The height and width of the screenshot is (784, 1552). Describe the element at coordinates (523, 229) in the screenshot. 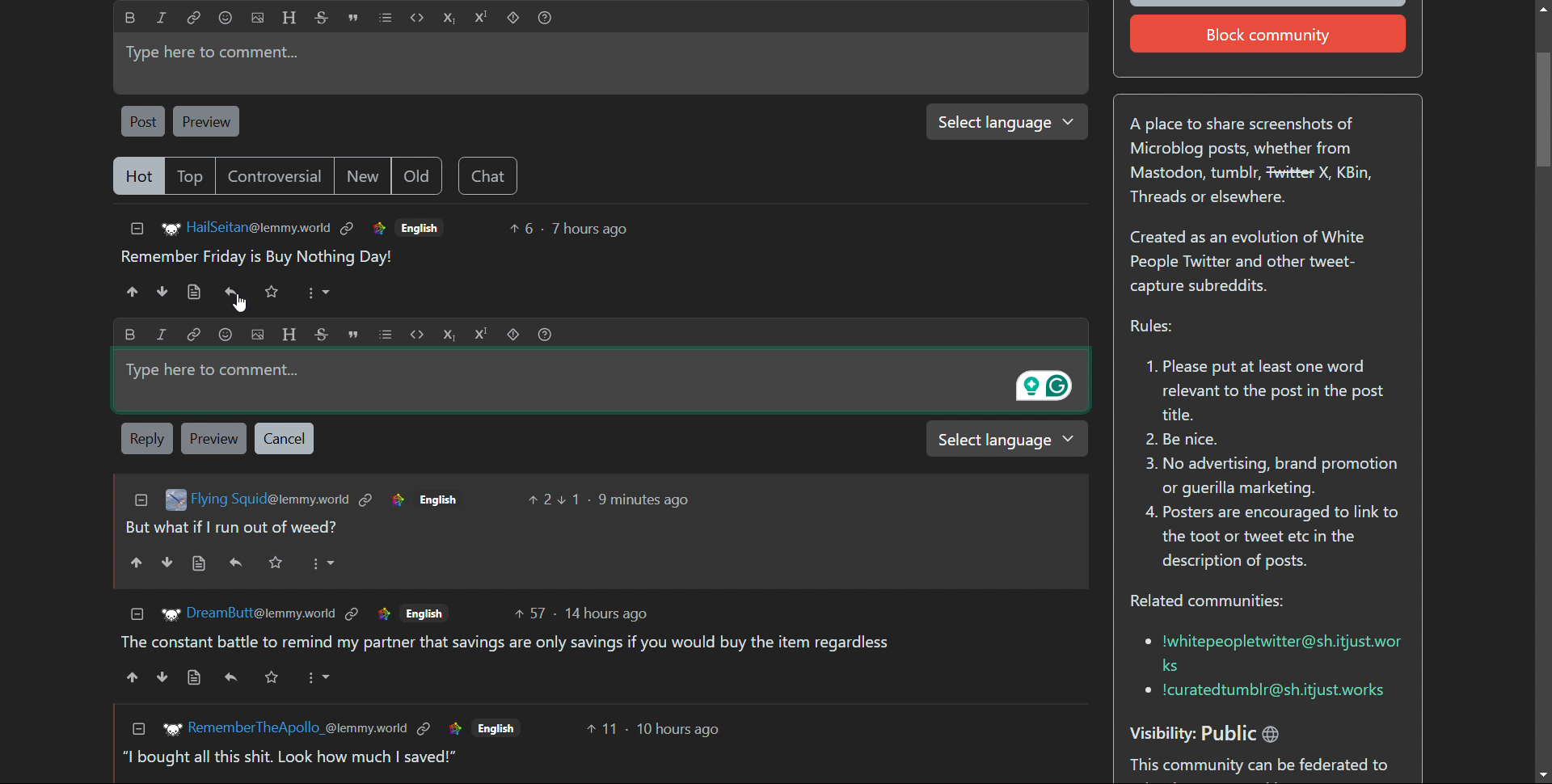

I see `number of upvotes` at that location.